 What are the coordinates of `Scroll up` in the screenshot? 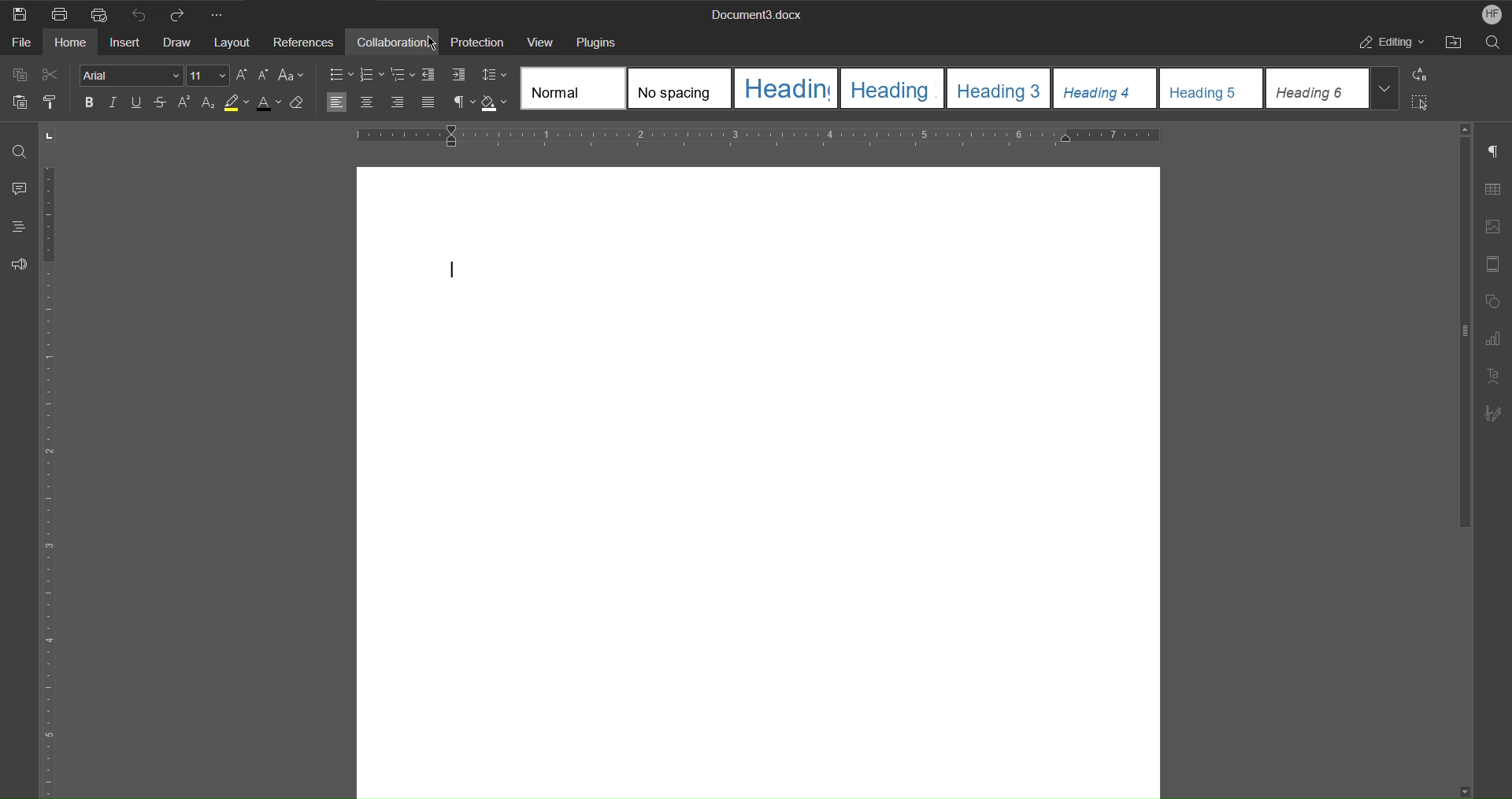 It's located at (1463, 125).